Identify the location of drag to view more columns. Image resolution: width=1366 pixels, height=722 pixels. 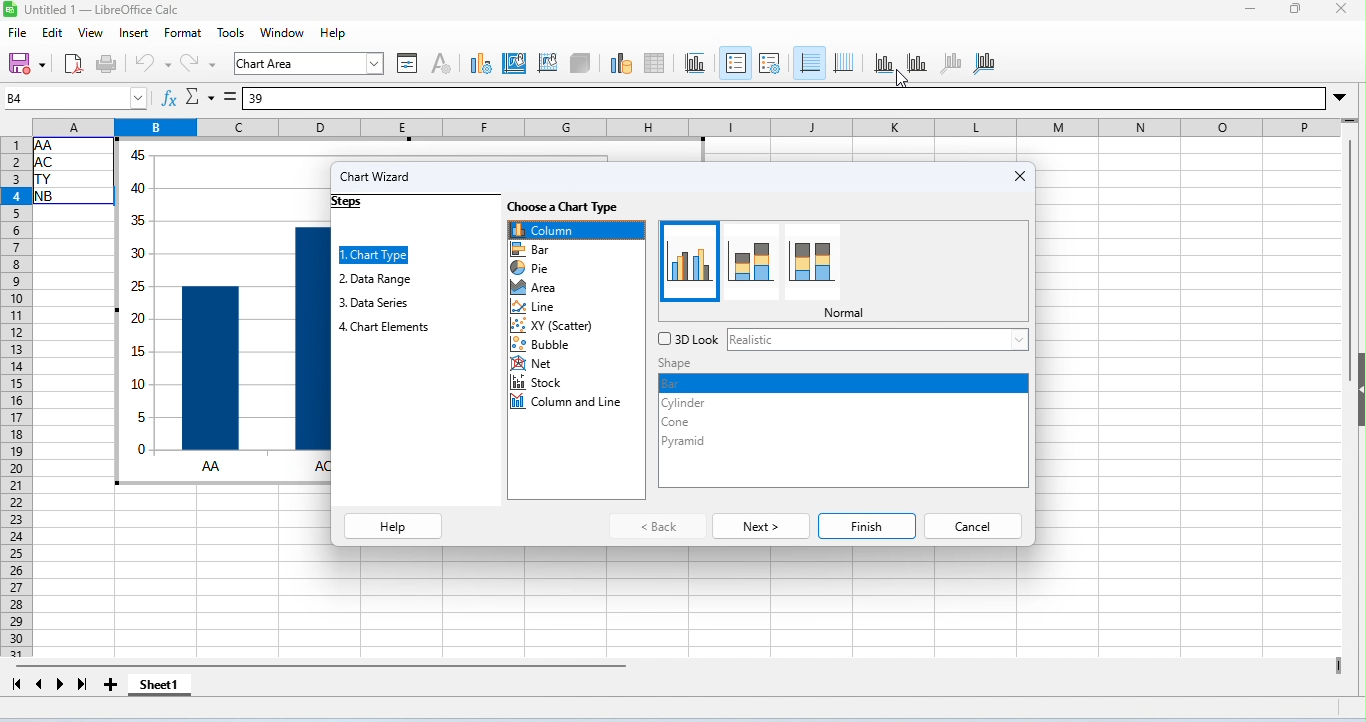
(1335, 666).